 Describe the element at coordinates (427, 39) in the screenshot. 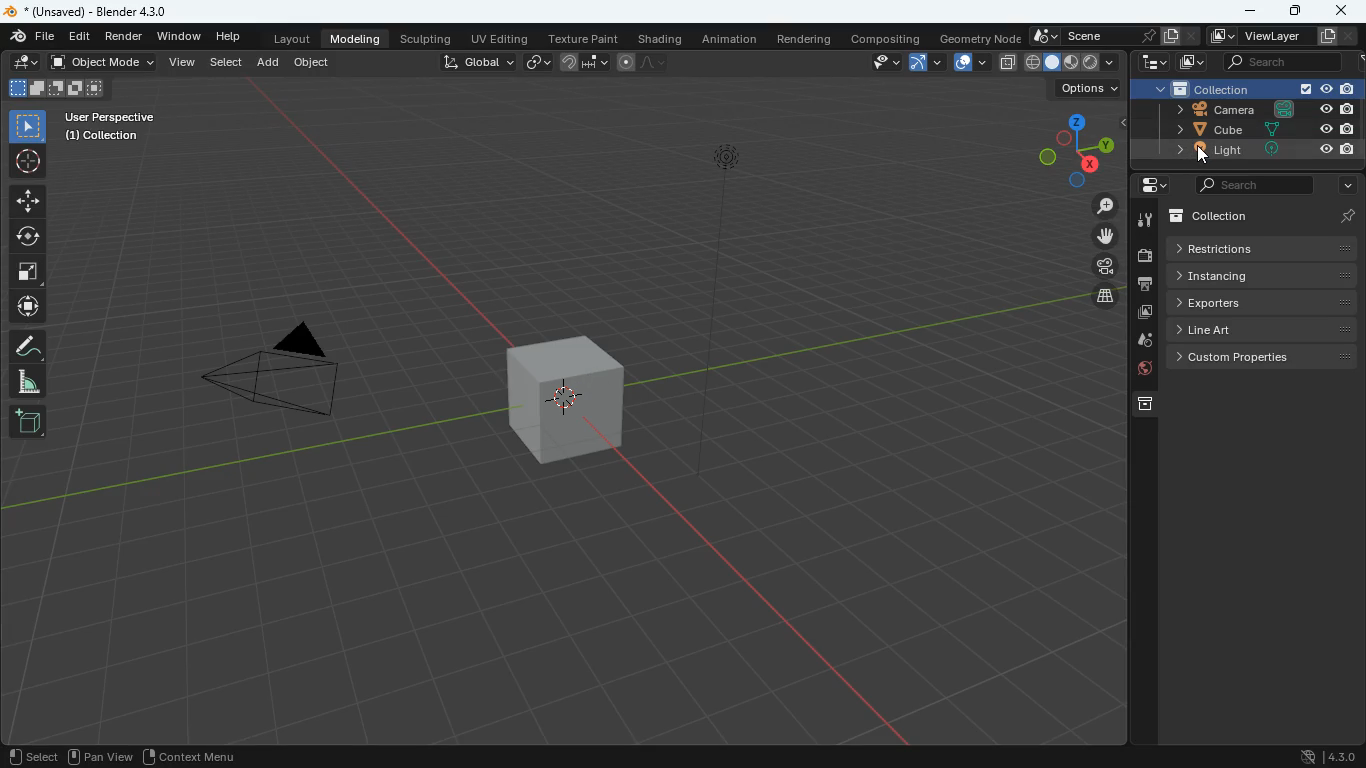

I see `sculpting` at that location.